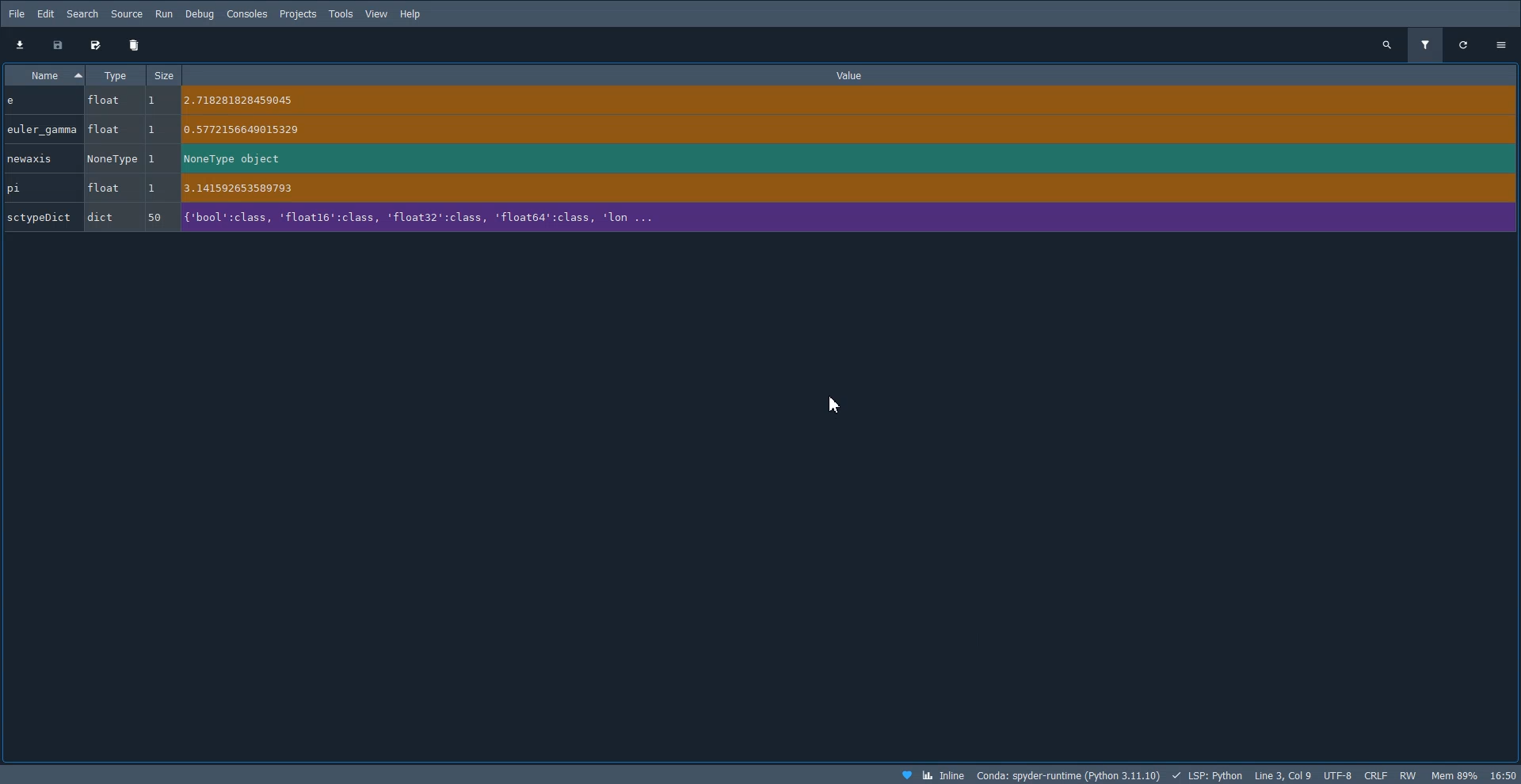 This screenshot has width=1521, height=784. I want to click on LSP: PYTHON, so click(1209, 775).